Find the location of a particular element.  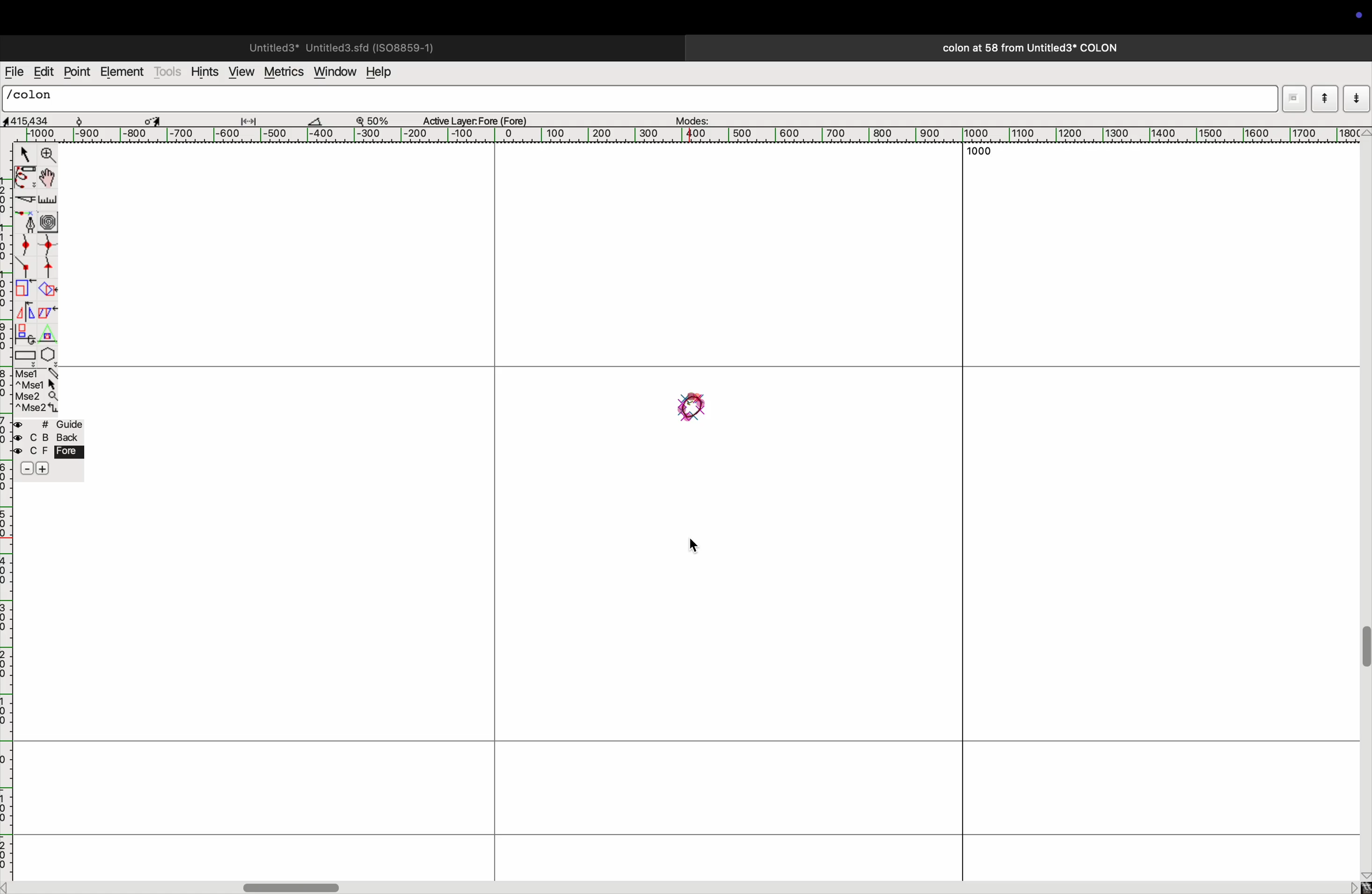

metrics is located at coordinates (282, 72).